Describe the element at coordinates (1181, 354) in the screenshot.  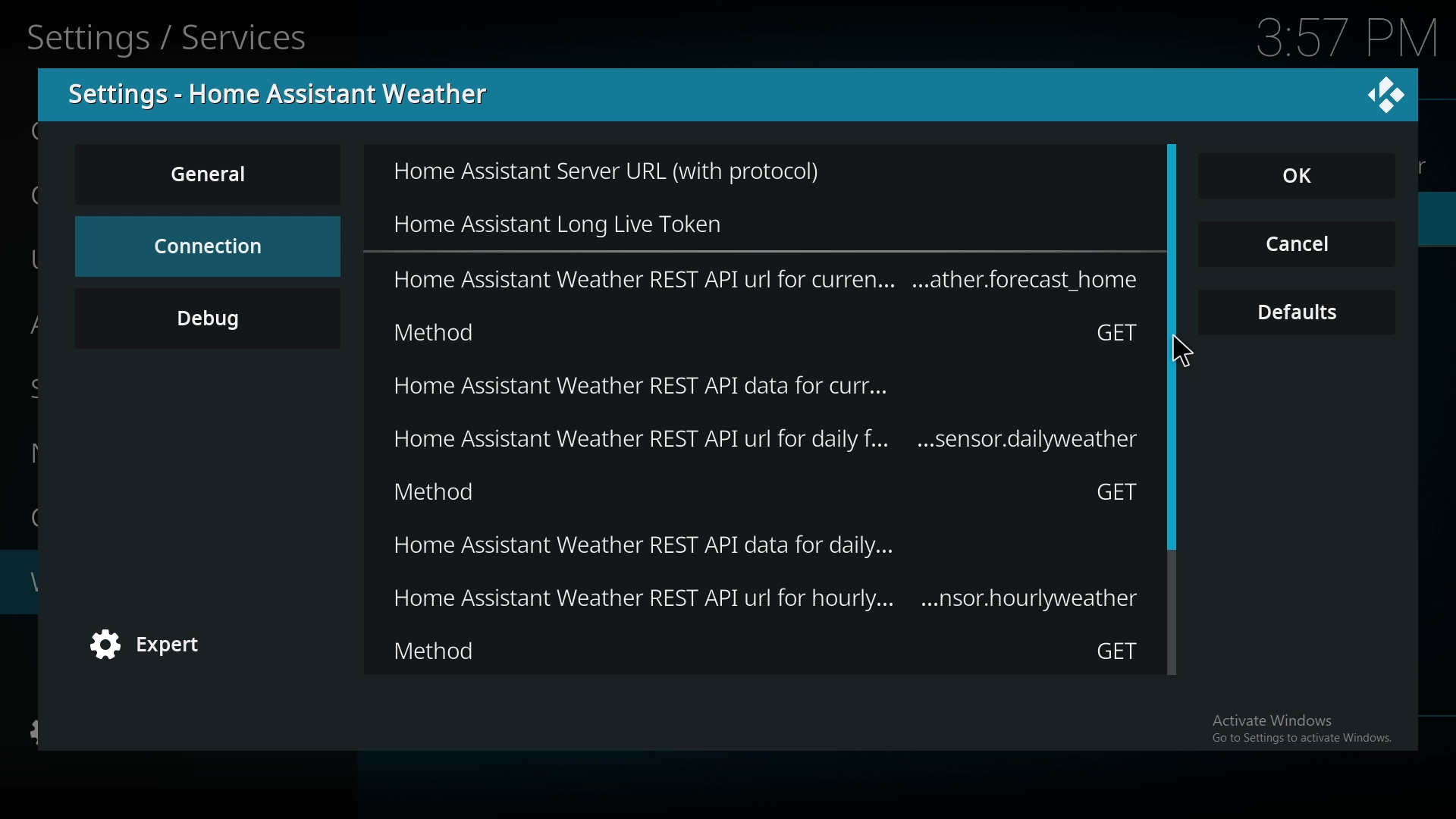
I see `cursor` at that location.